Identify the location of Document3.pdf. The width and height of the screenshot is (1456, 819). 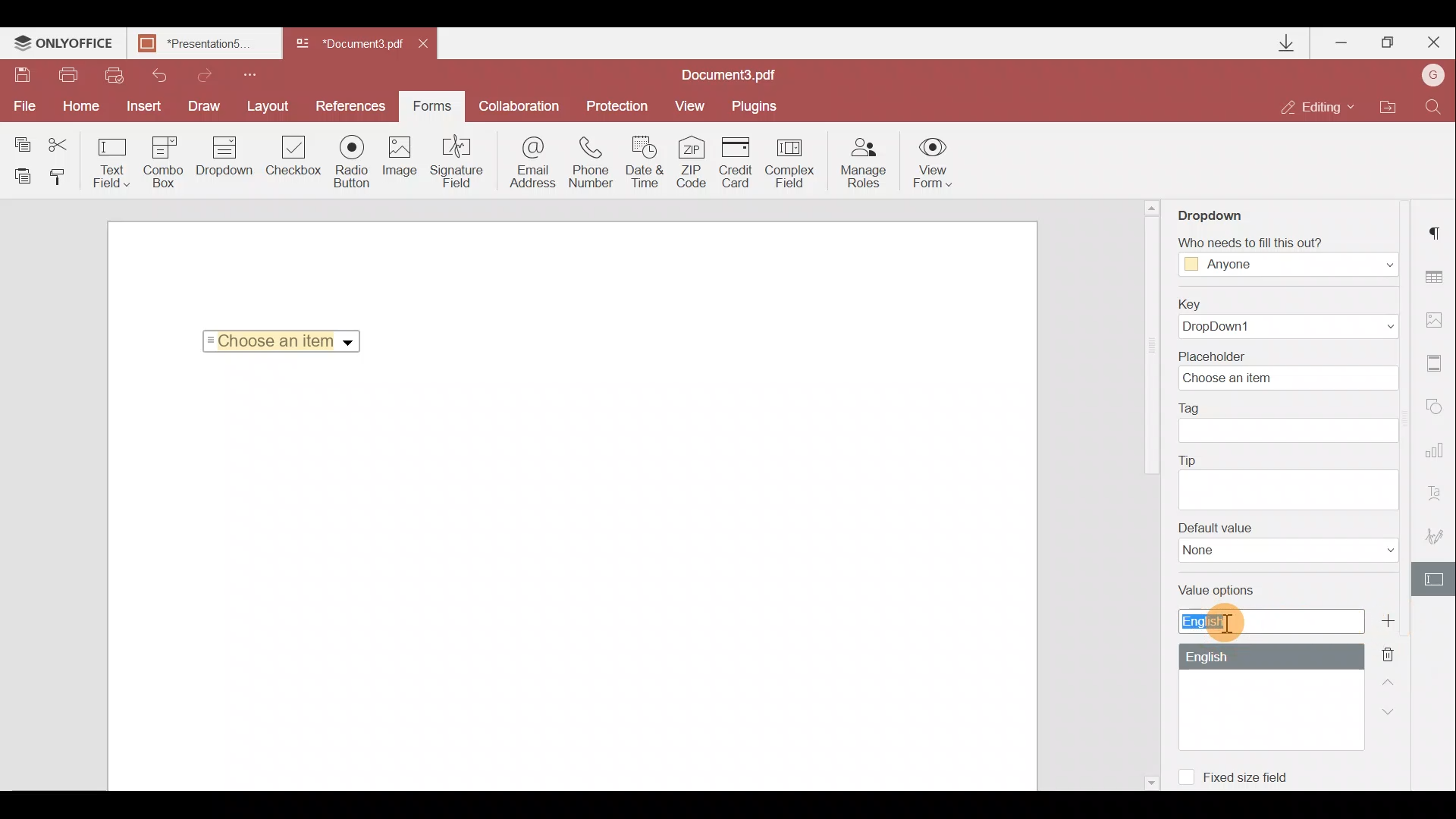
(747, 74).